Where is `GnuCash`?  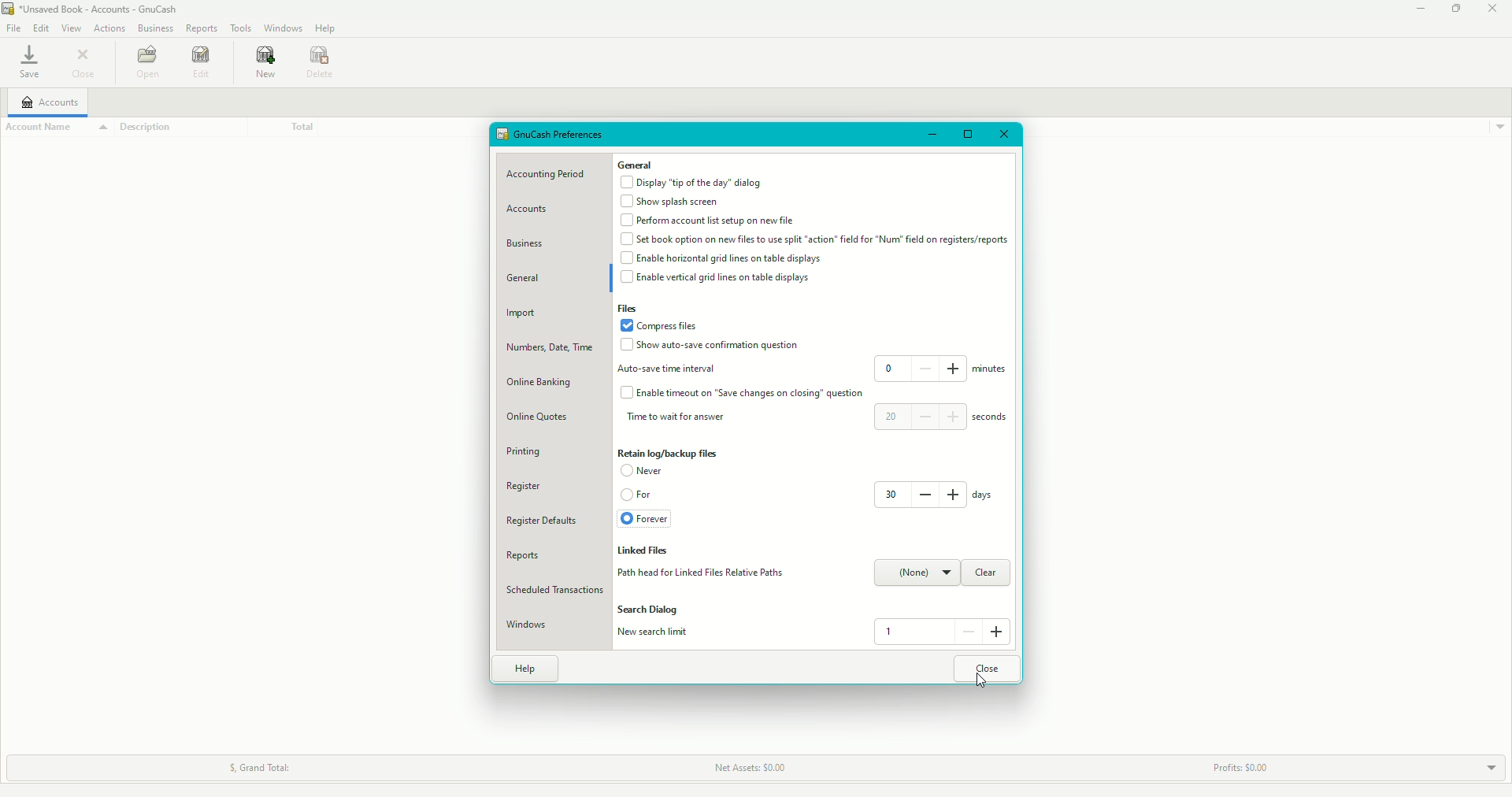 GnuCash is located at coordinates (90, 9).